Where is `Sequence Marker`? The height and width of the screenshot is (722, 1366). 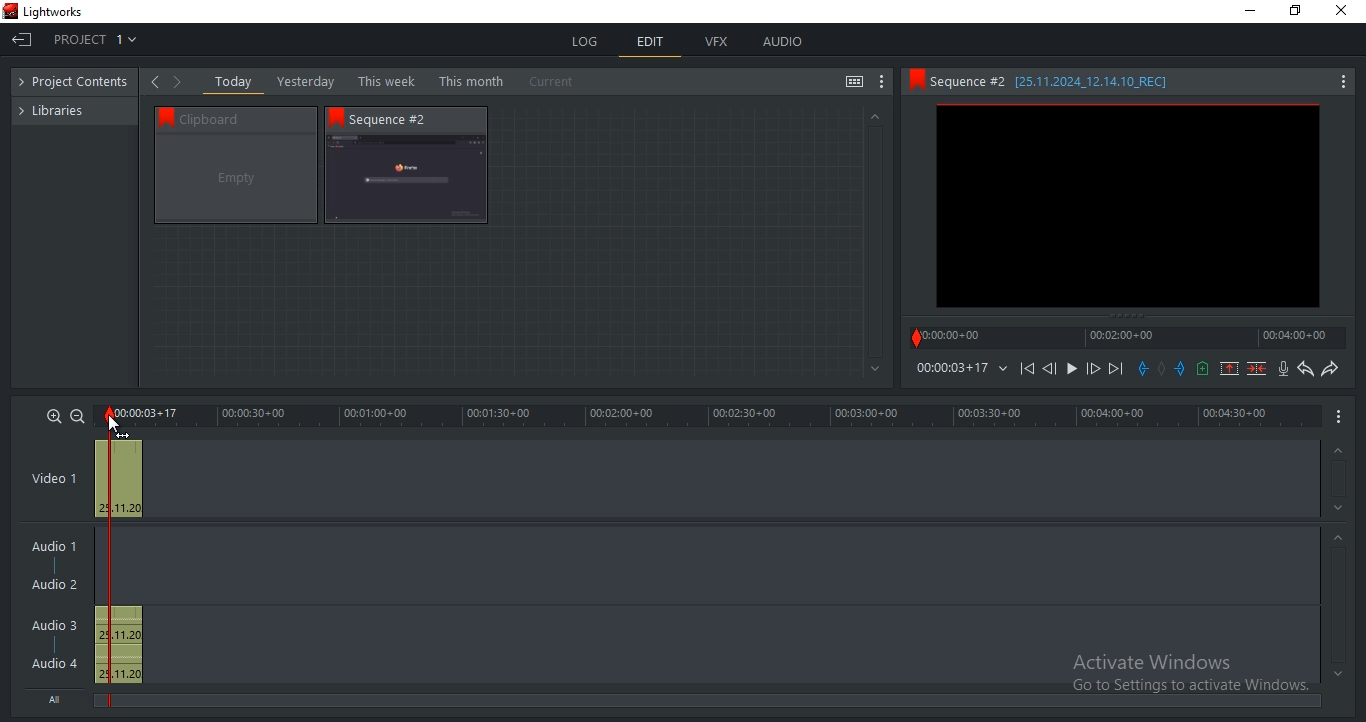 Sequence Marker is located at coordinates (99, 559).